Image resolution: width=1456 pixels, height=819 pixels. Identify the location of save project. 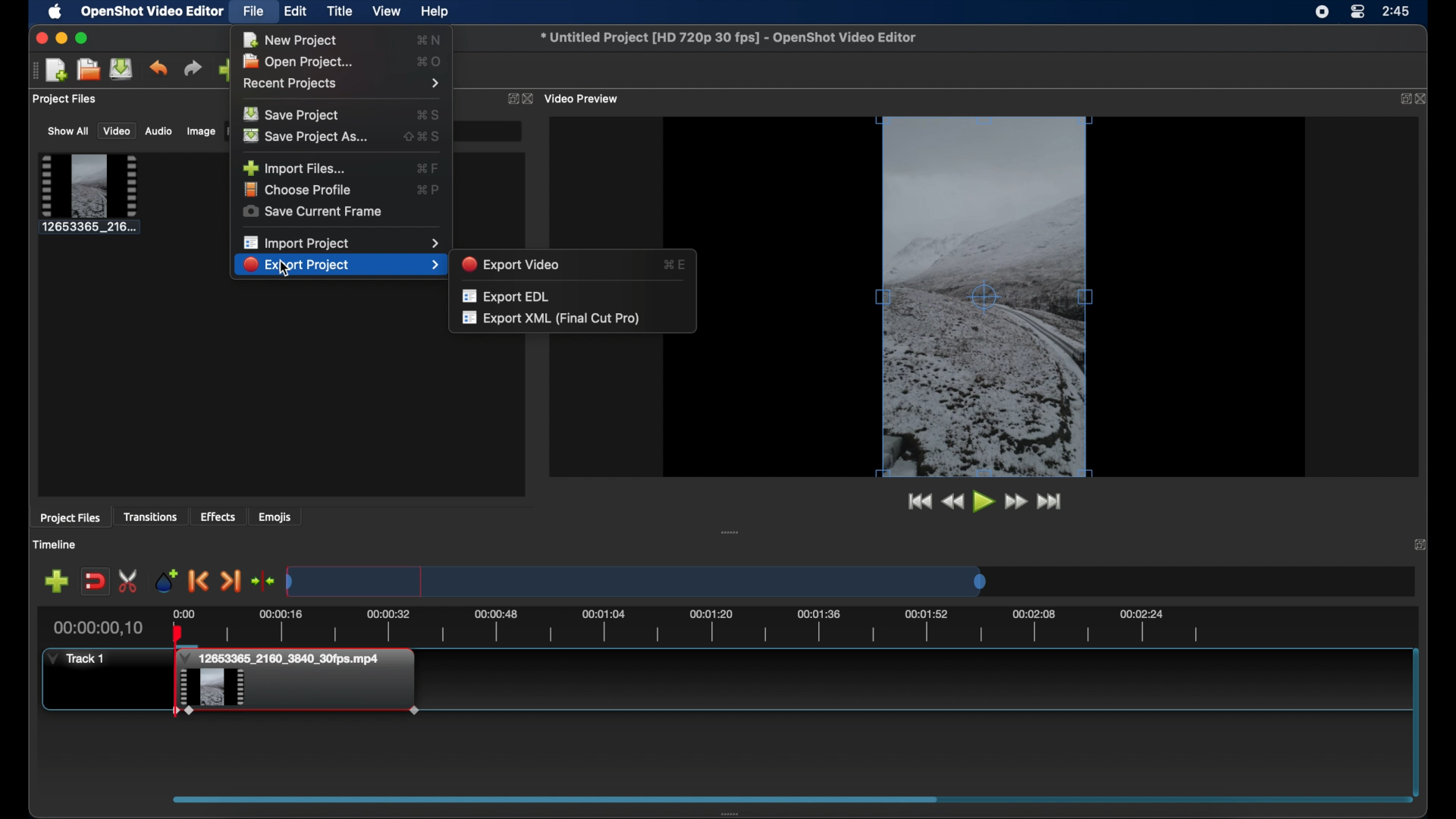
(122, 69).